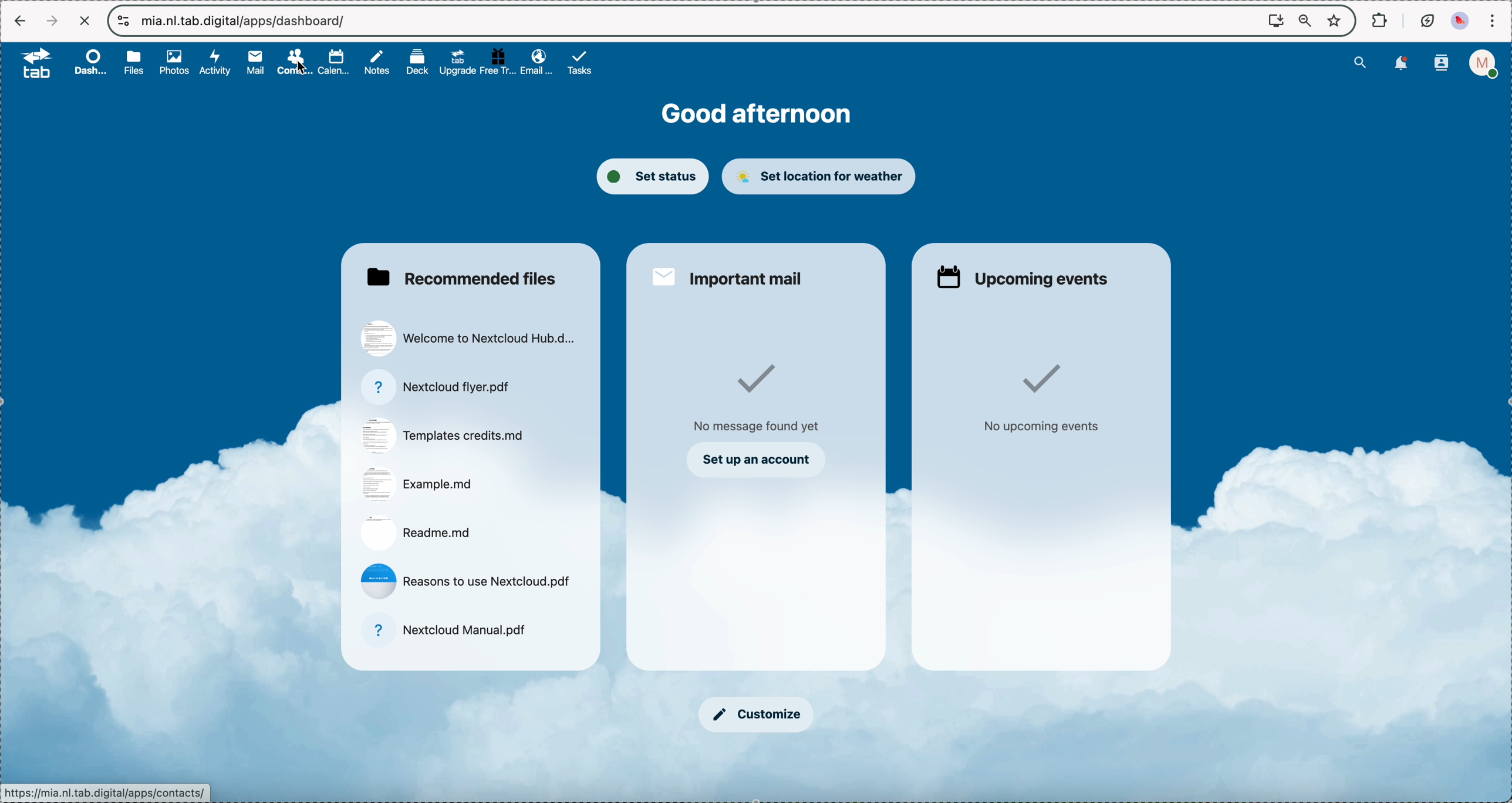  I want to click on no upcoming events, so click(1048, 399).